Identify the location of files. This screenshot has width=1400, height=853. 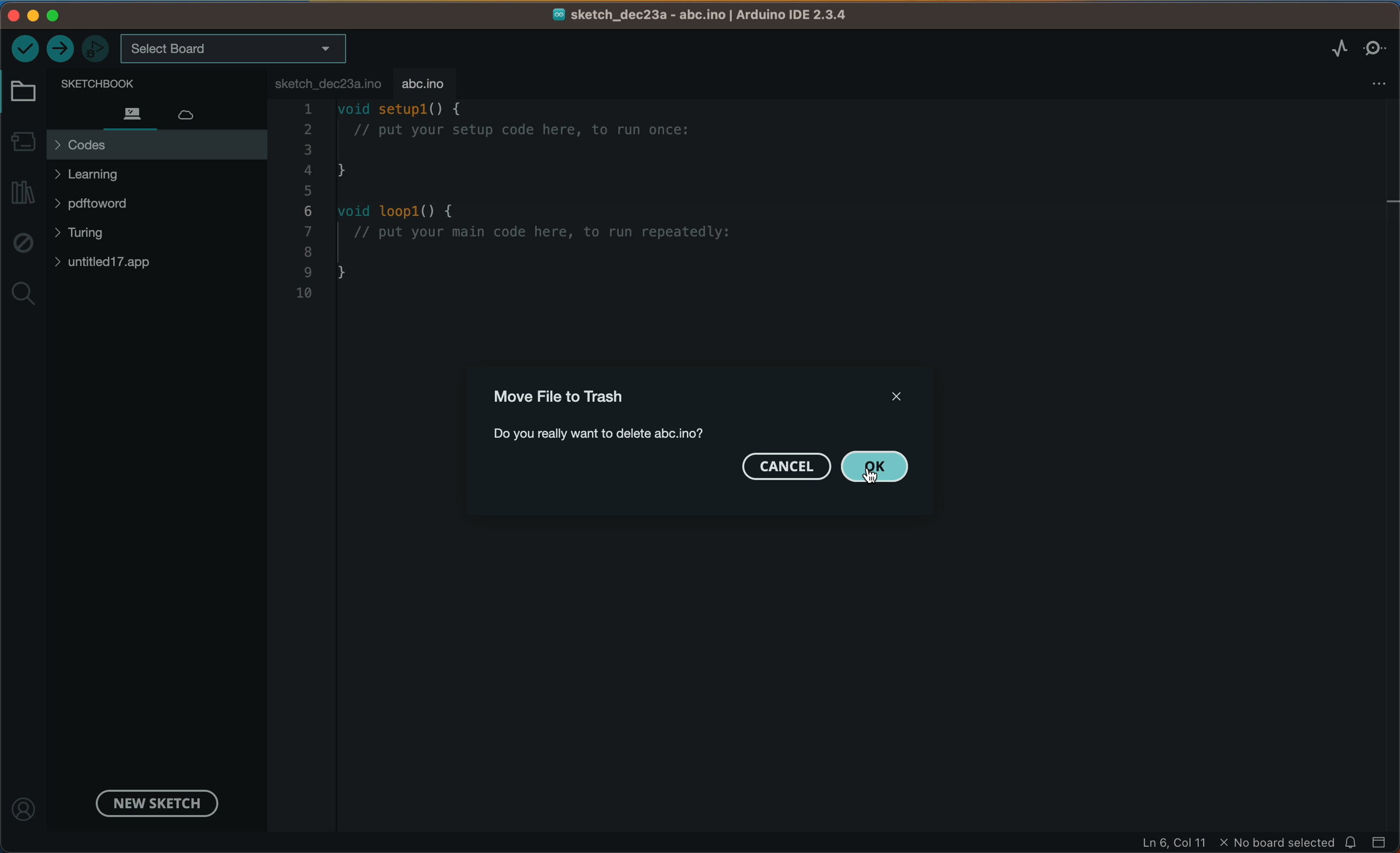
(130, 112).